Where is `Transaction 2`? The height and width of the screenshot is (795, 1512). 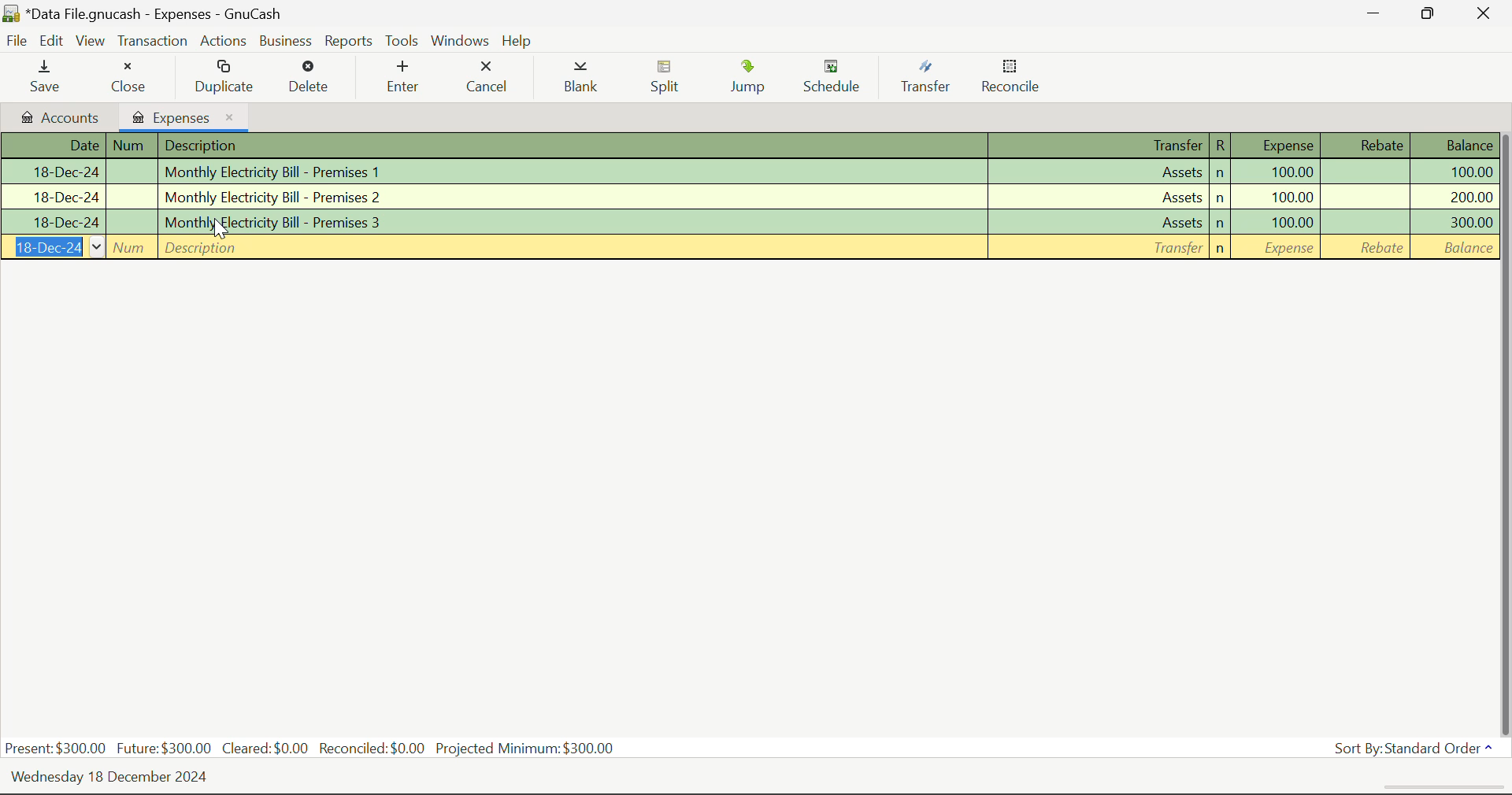 Transaction 2 is located at coordinates (750, 195).